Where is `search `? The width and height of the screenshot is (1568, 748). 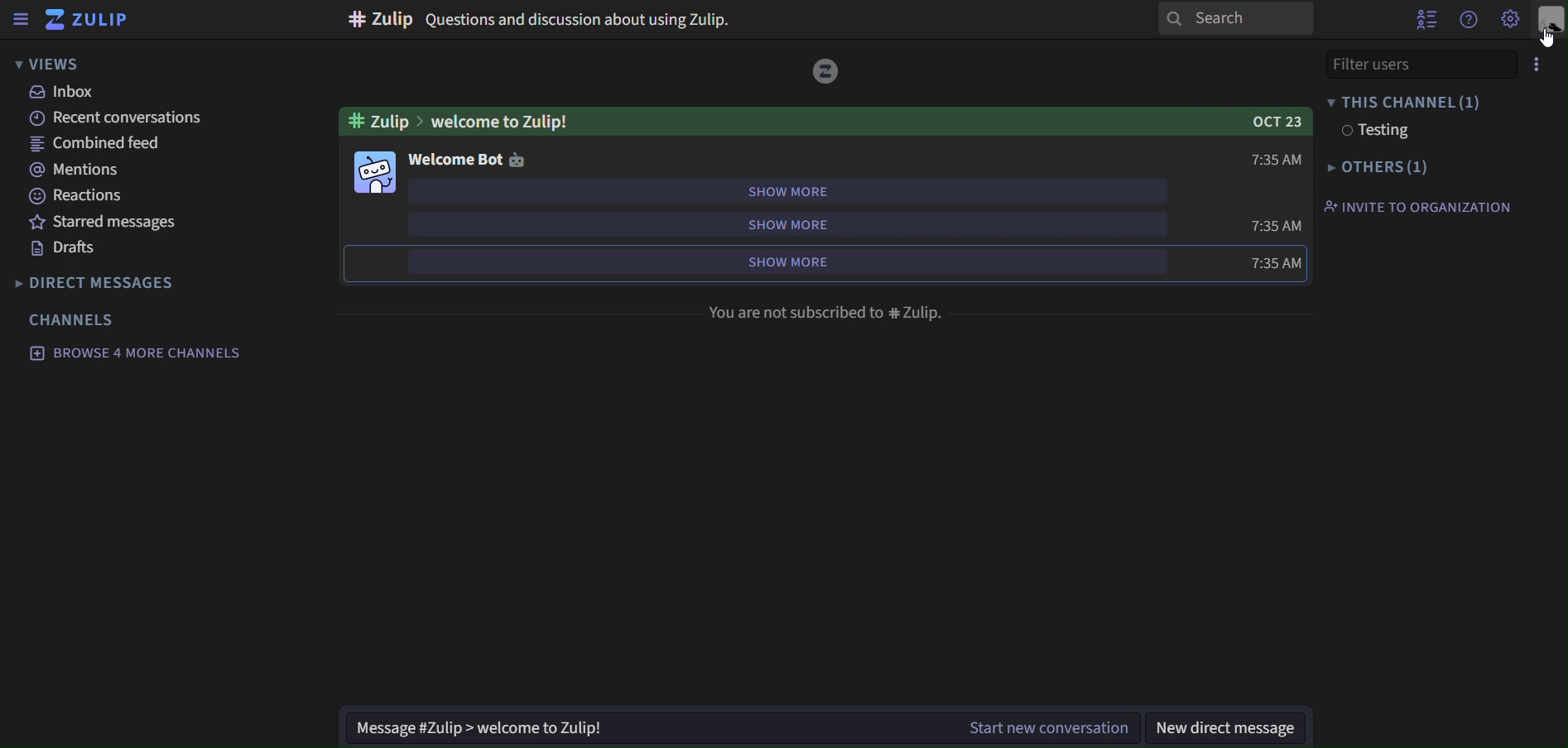 search  is located at coordinates (1233, 18).